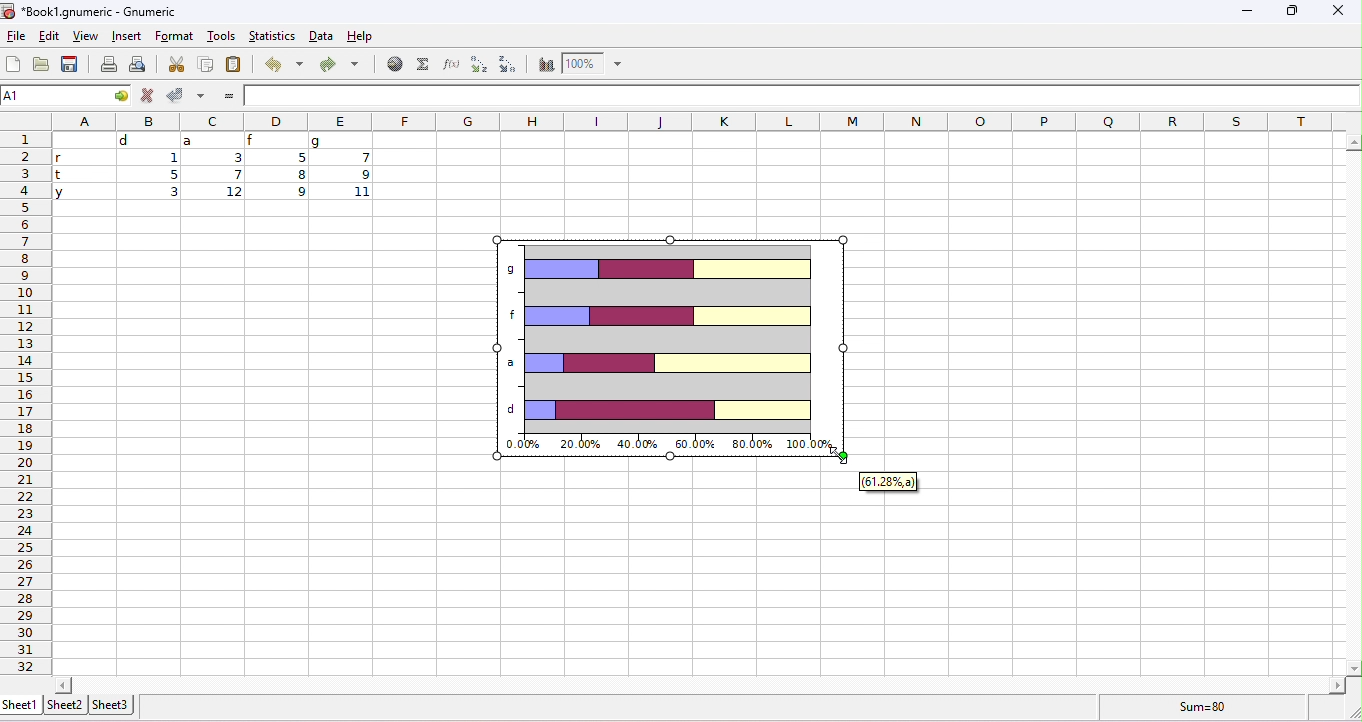  Describe the element at coordinates (113, 704) in the screenshot. I see `sheet3` at that location.